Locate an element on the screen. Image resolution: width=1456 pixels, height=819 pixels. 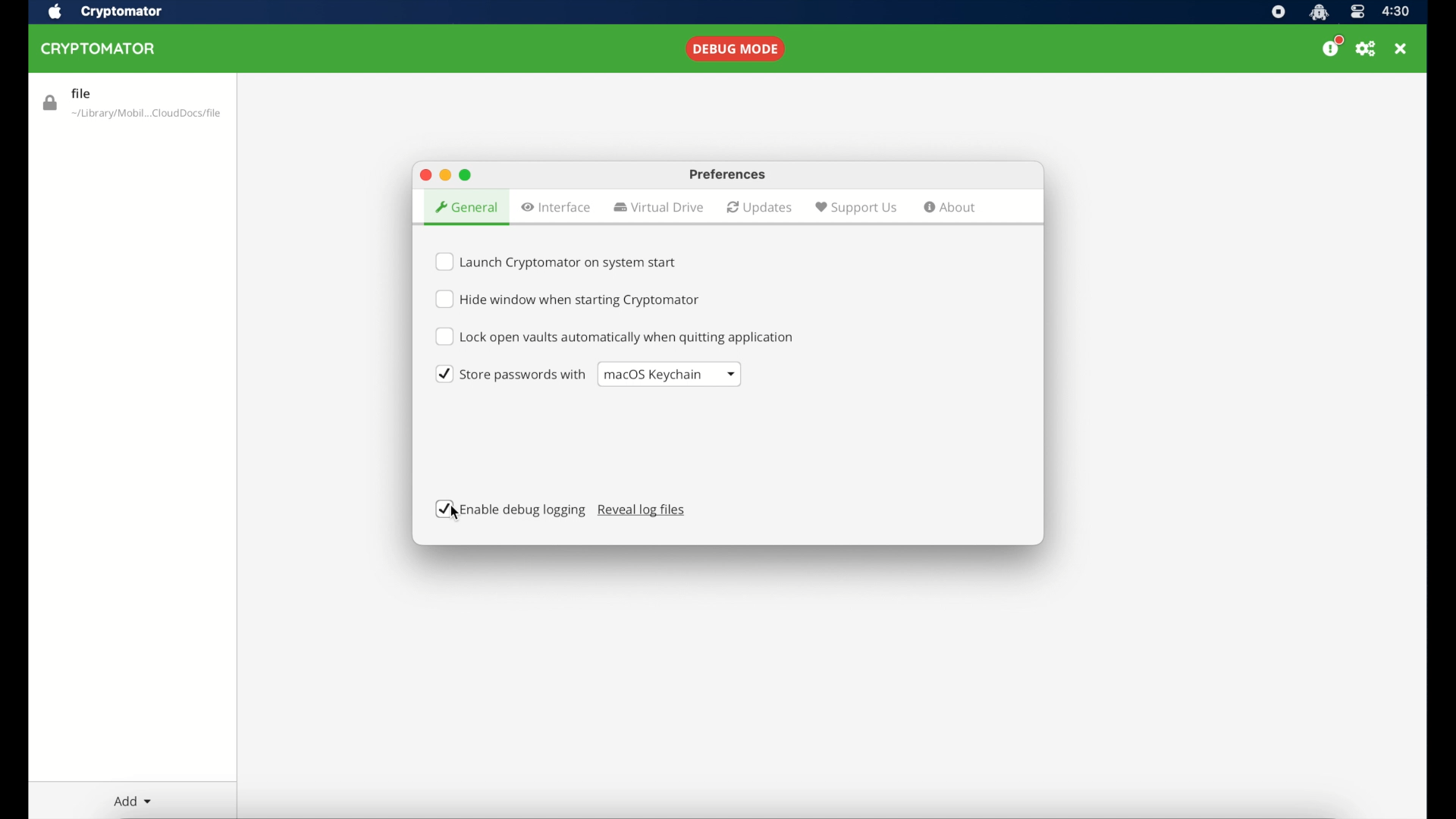
check mark is located at coordinates (445, 509).